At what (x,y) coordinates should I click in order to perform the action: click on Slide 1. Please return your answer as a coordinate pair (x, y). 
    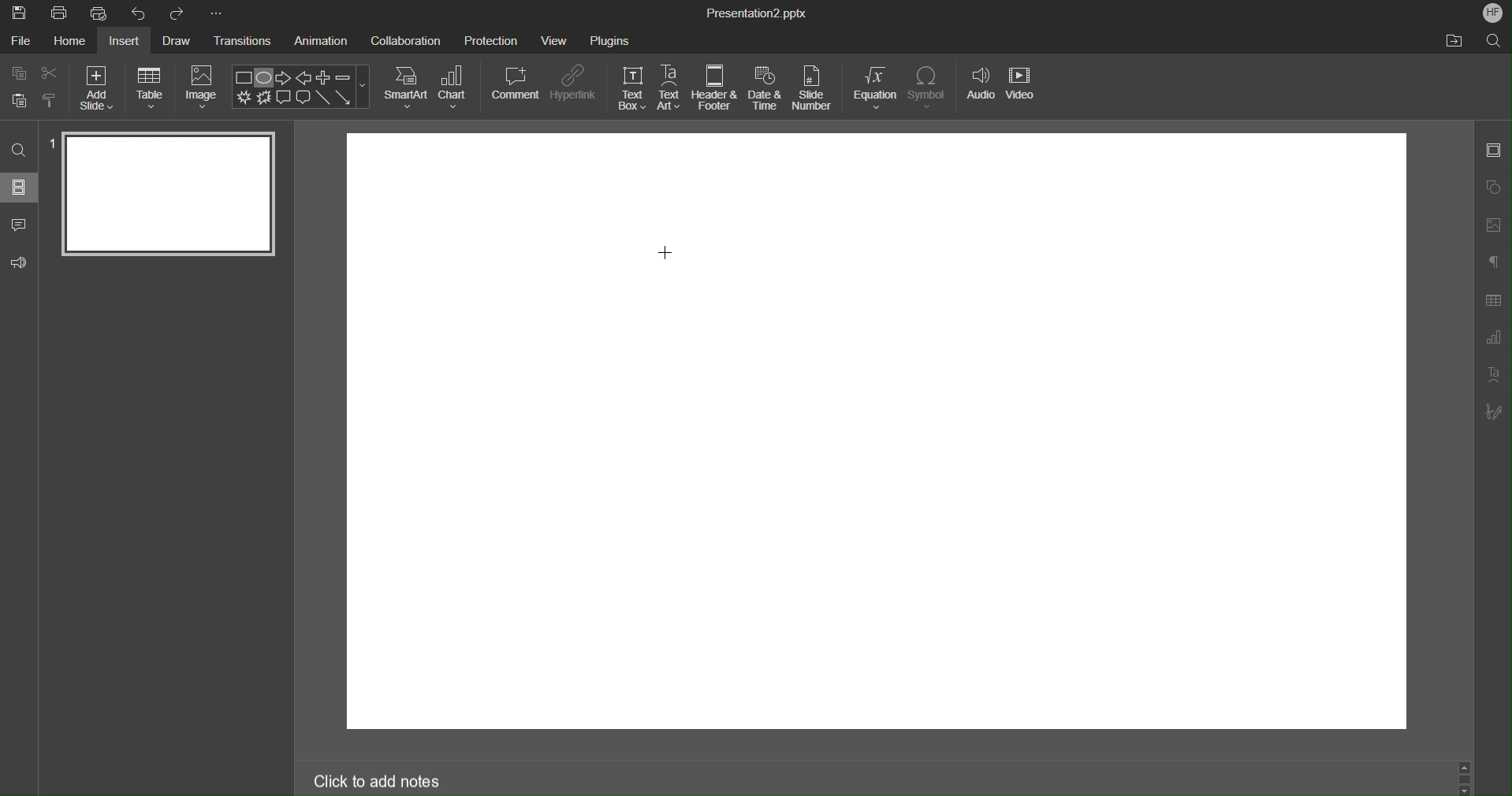
    Looking at the image, I should click on (166, 193).